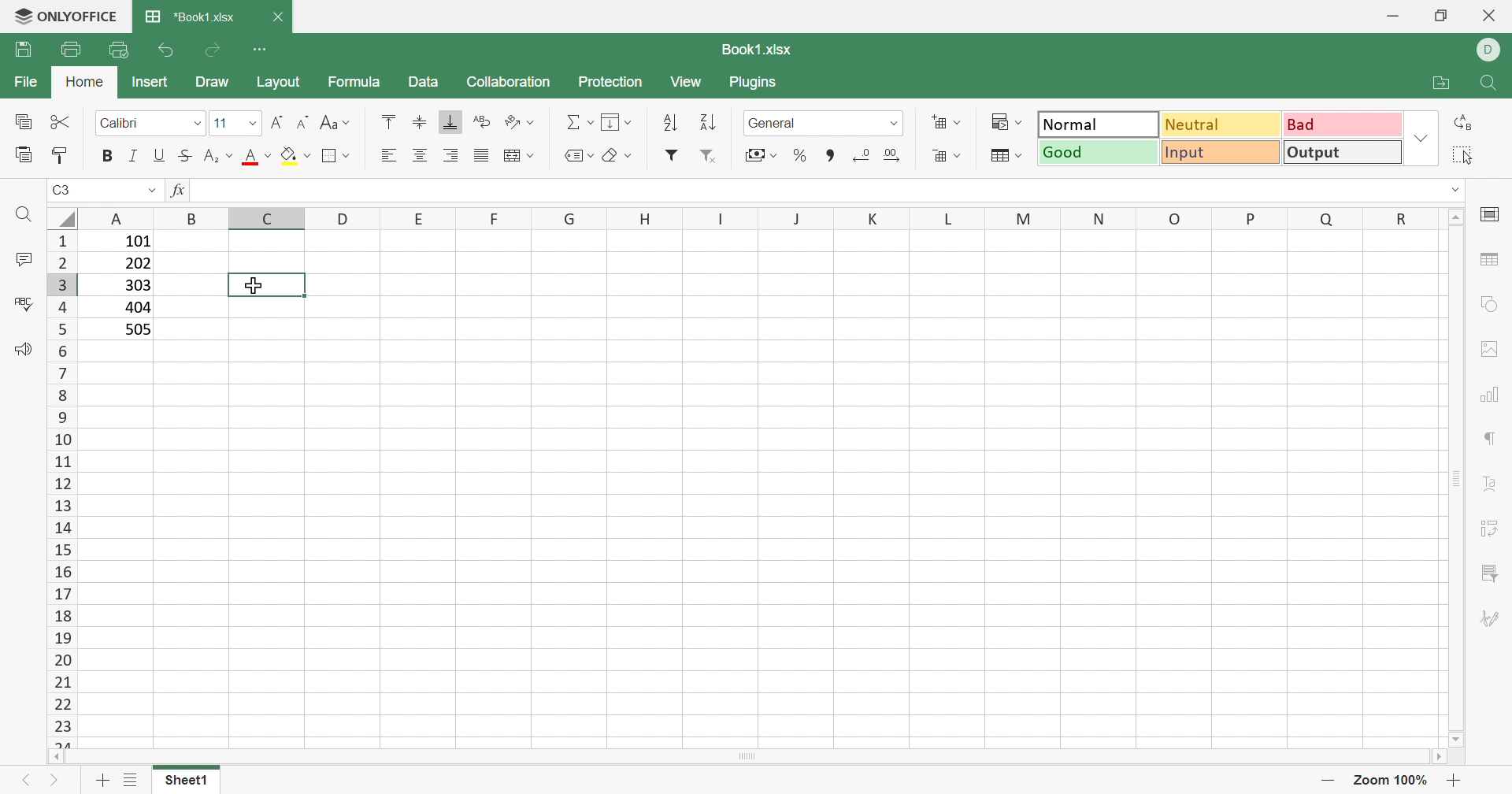  What do you see at coordinates (579, 118) in the screenshot?
I see `Summation` at bounding box center [579, 118].